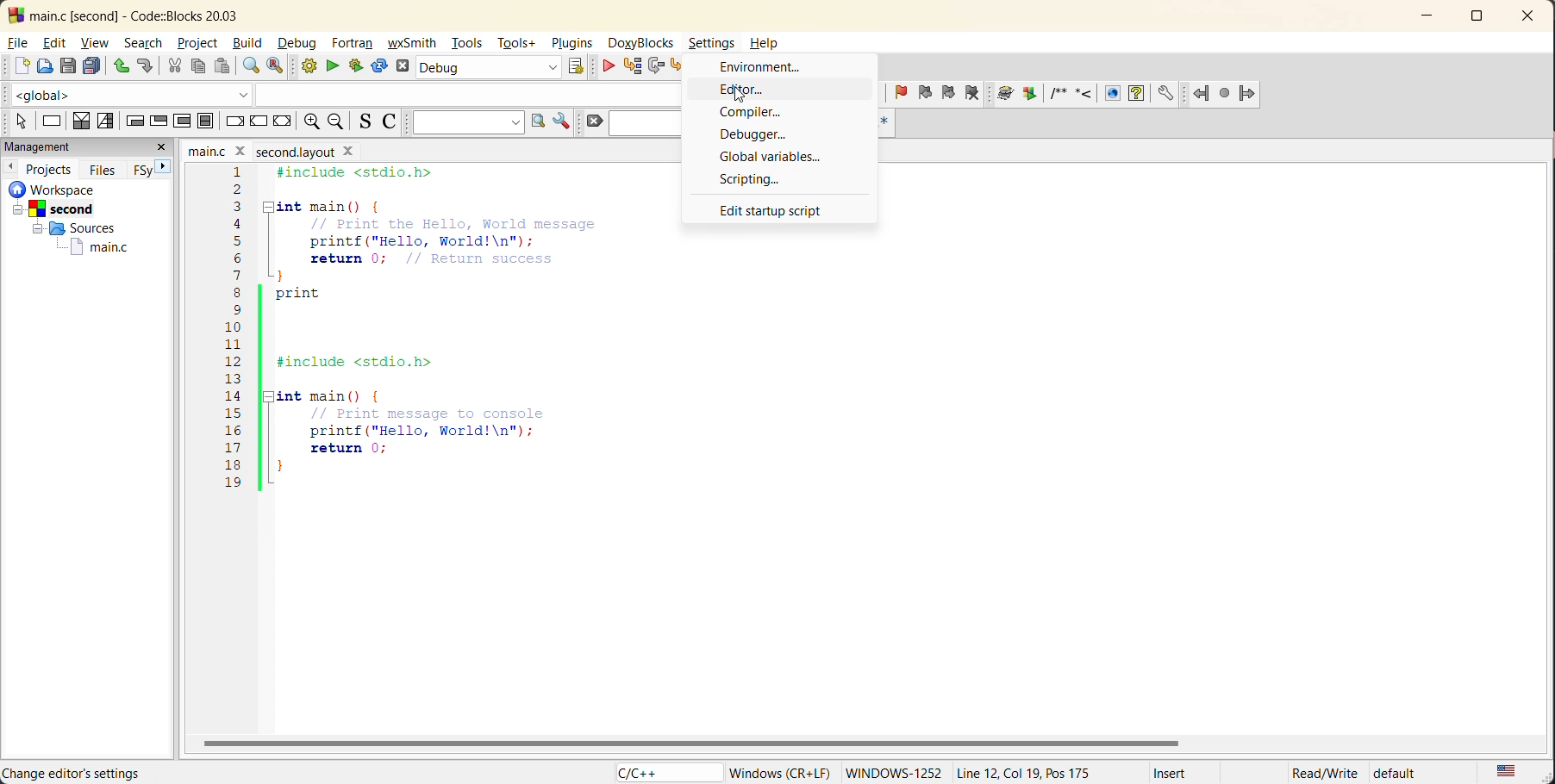 The width and height of the screenshot is (1555, 784). What do you see at coordinates (1477, 22) in the screenshot?
I see `maximize` at bounding box center [1477, 22].